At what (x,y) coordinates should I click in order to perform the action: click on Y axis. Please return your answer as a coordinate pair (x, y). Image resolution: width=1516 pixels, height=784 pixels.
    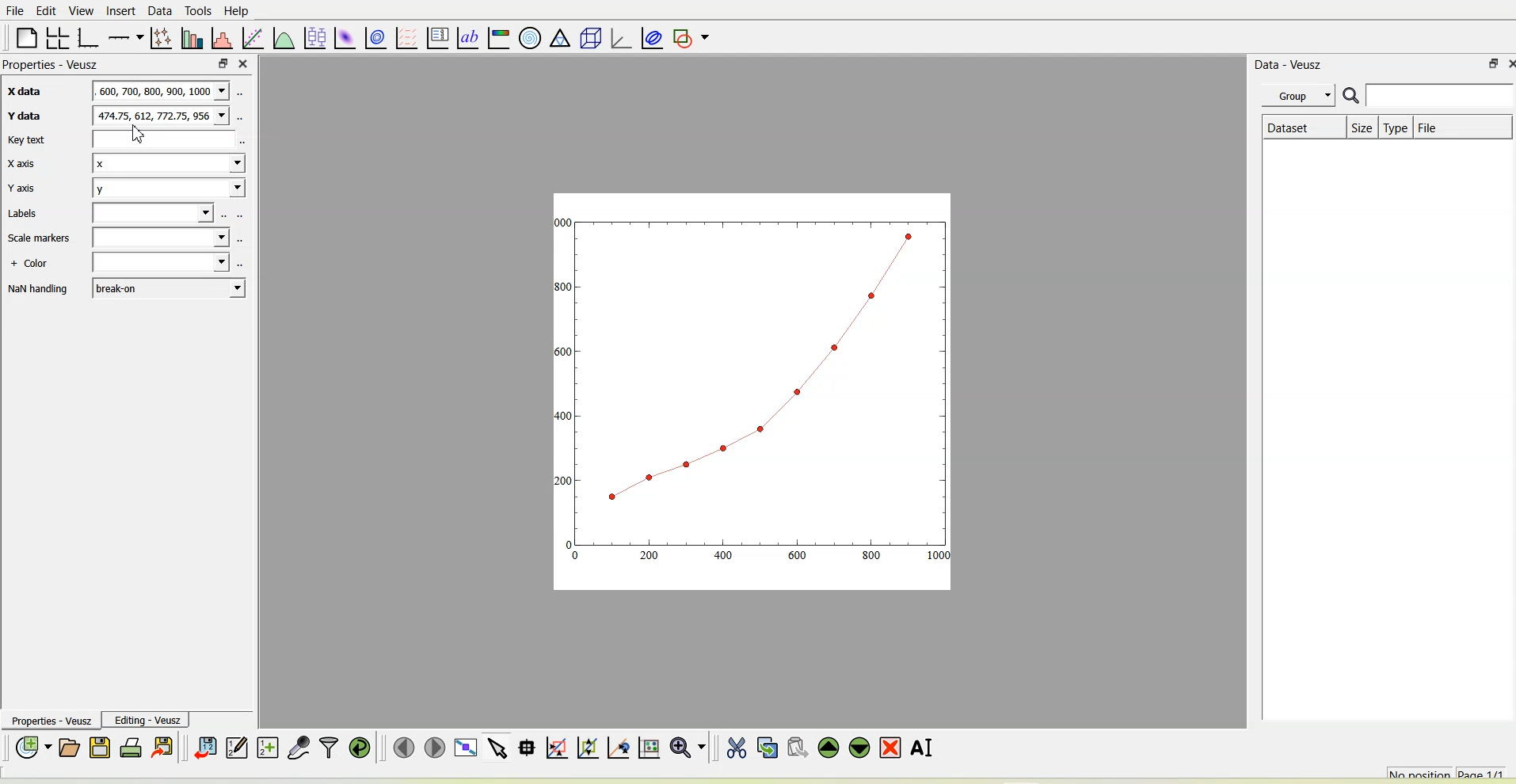
    Looking at the image, I should click on (24, 187).